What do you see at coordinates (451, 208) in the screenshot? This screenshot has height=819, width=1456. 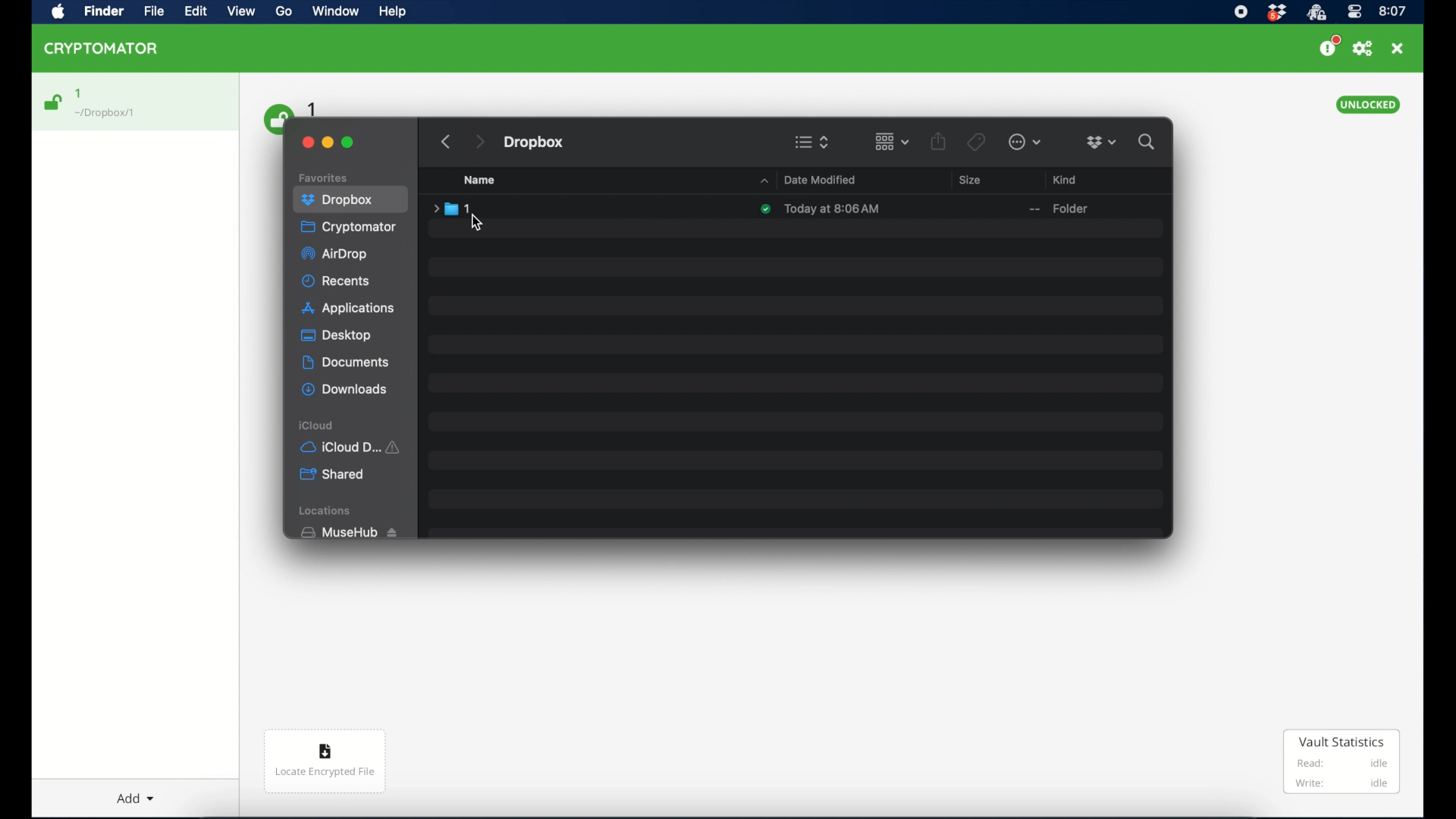 I see `folder` at bounding box center [451, 208].